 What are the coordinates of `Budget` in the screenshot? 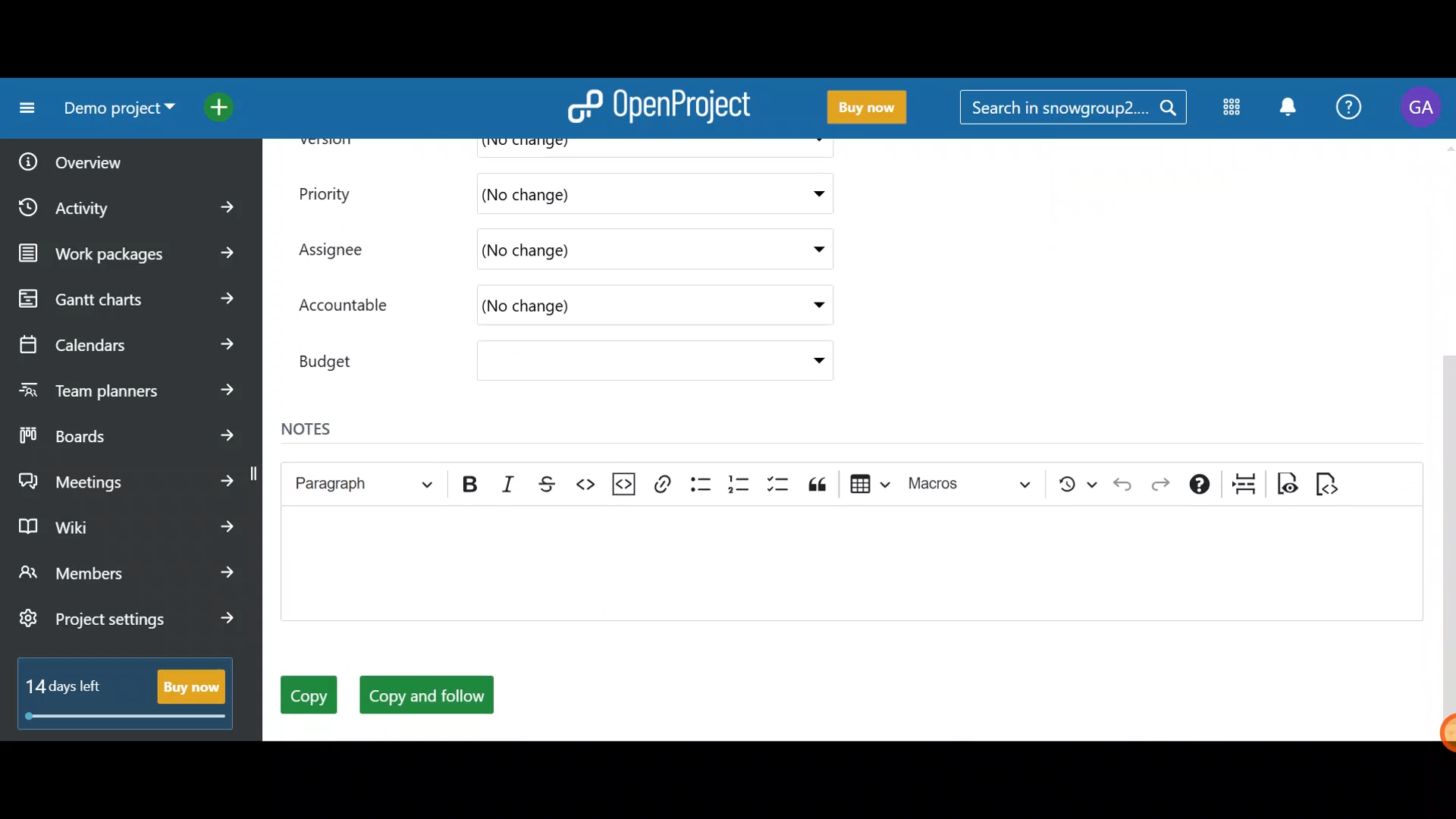 It's located at (560, 363).